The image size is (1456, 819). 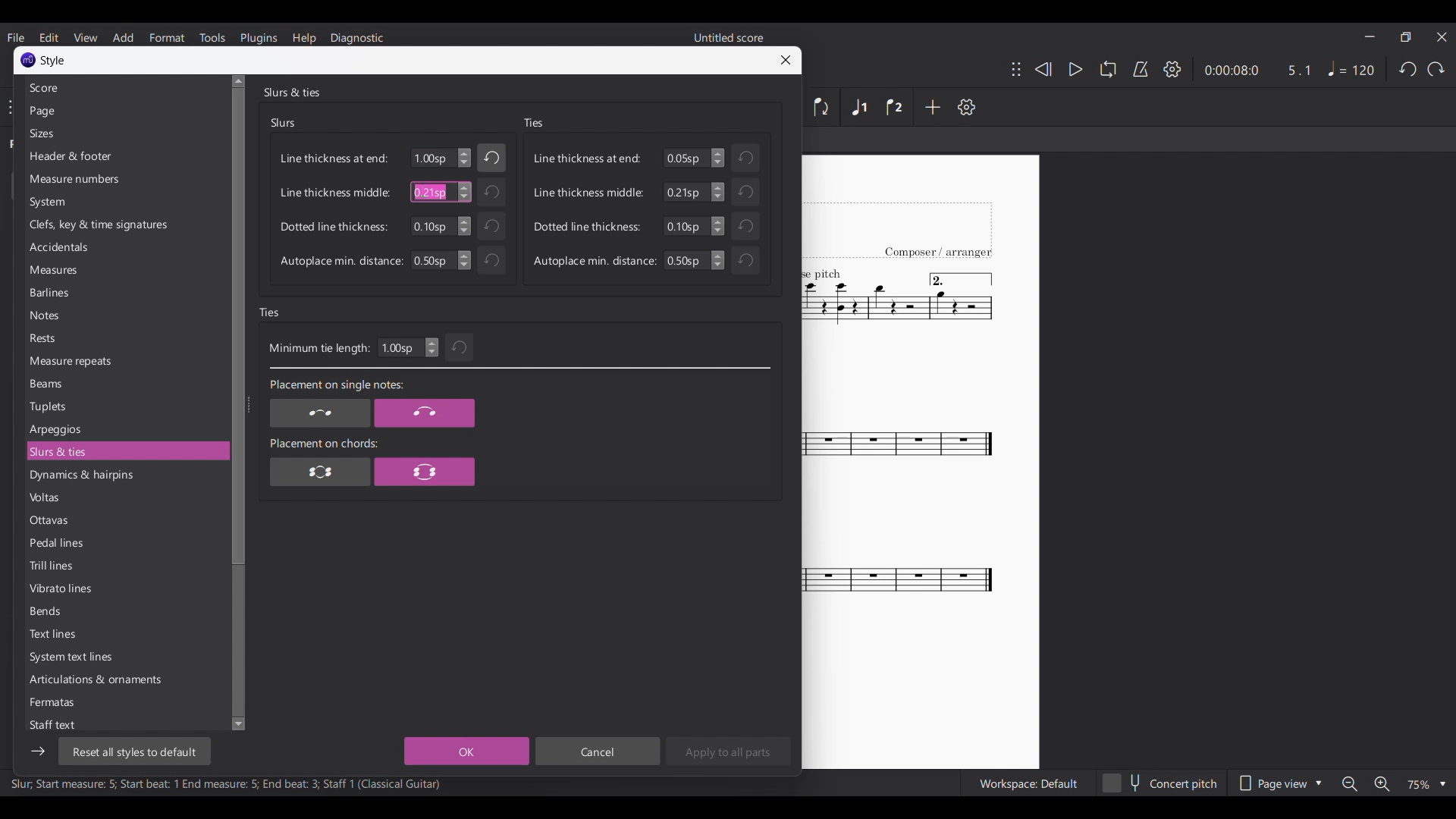 What do you see at coordinates (745, 158) in the screenshot?
I see `Undo` at bounding box center [745, 158].